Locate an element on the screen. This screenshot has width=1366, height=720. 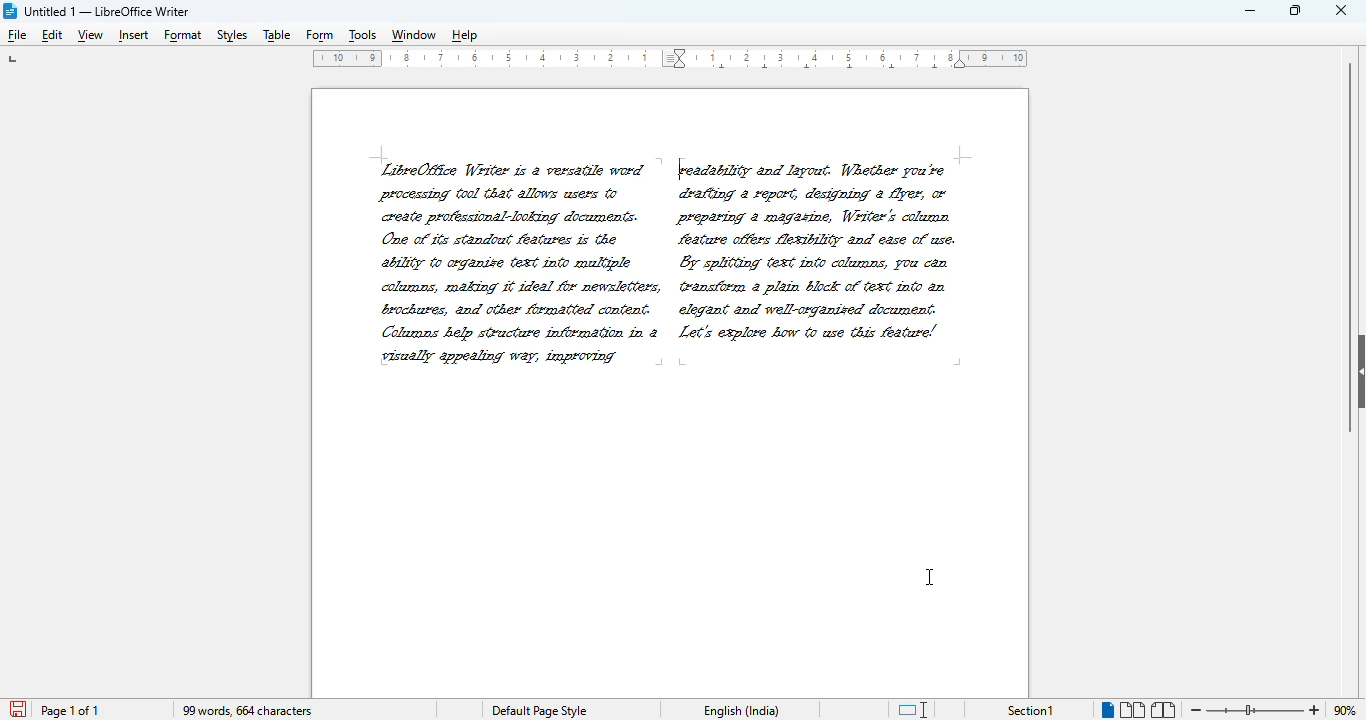
help is located at coordinates (464, 37).